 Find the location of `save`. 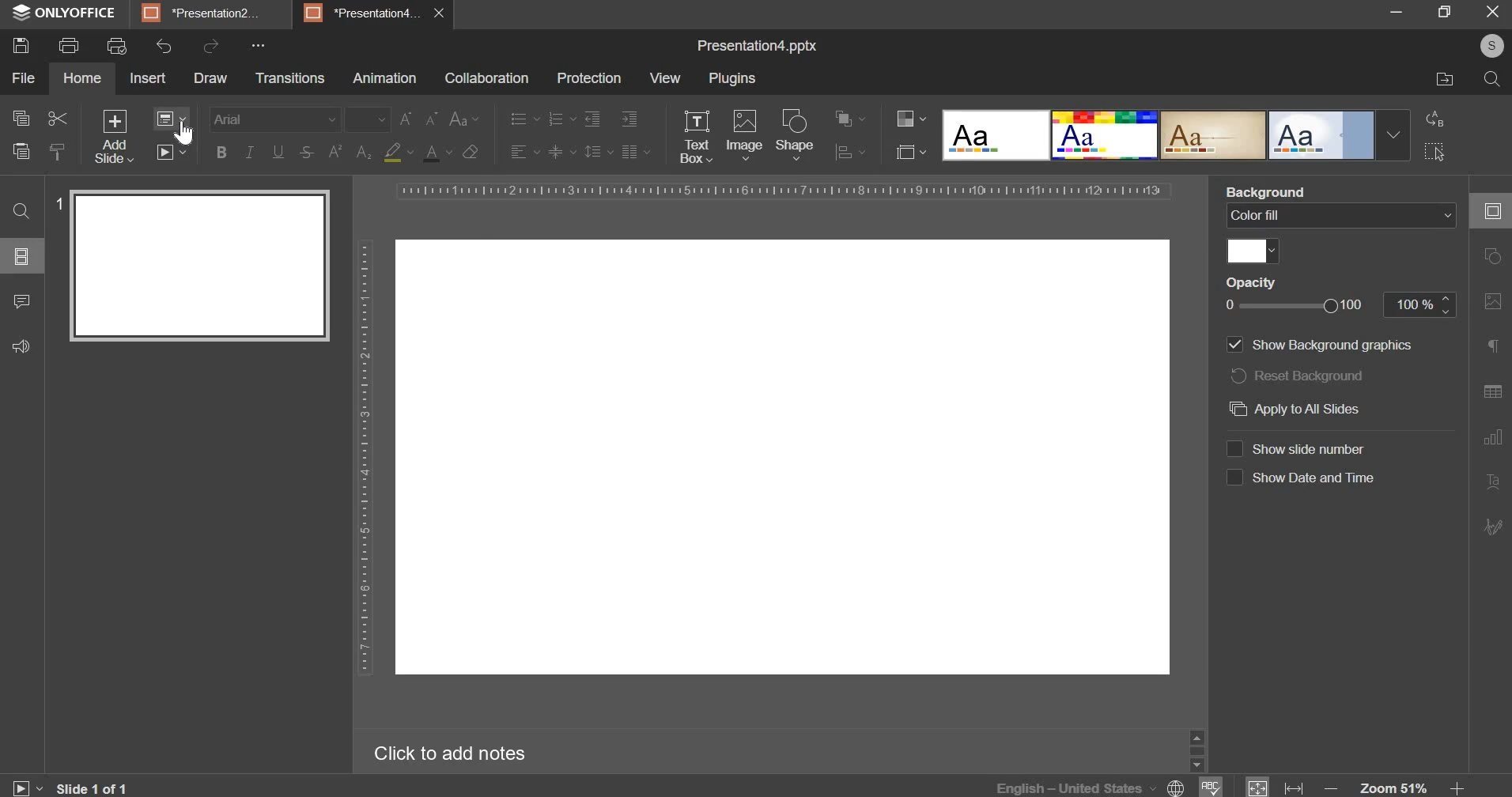

save is located at coordinates (22, 46).